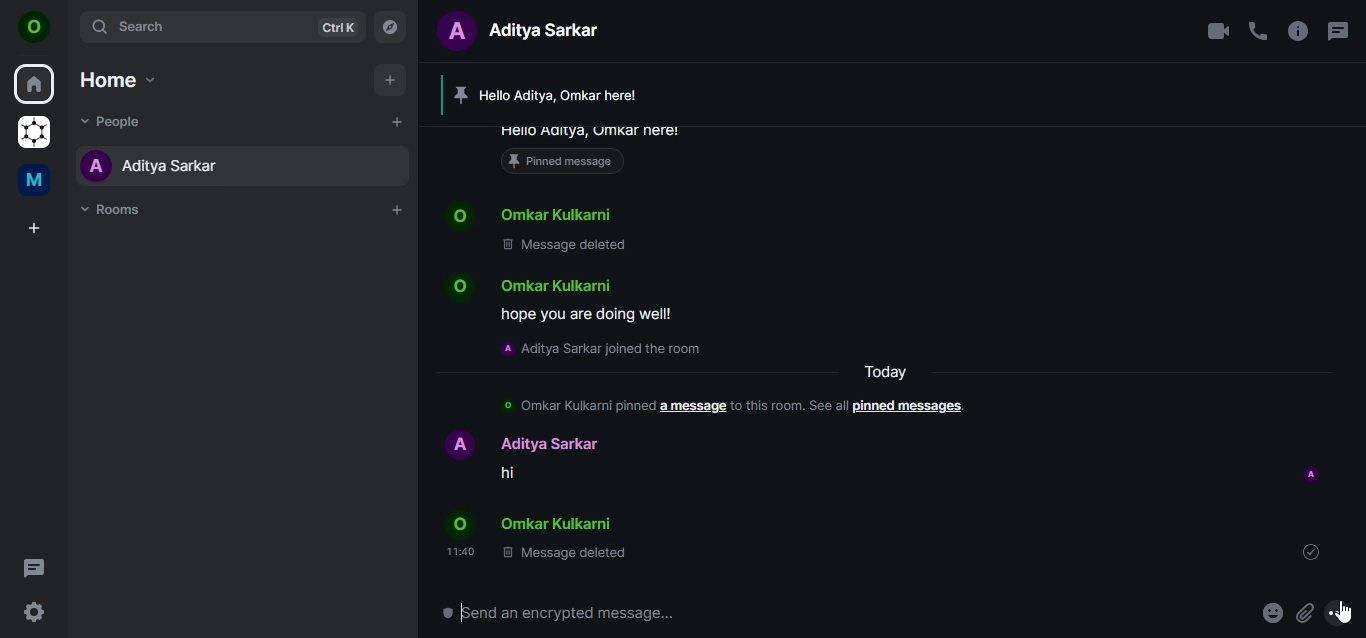 The width and height of the screenshot is (1366, 638). Describe the element at coordinates (1217, 31) in the screenshot. I see `video call` at that location.